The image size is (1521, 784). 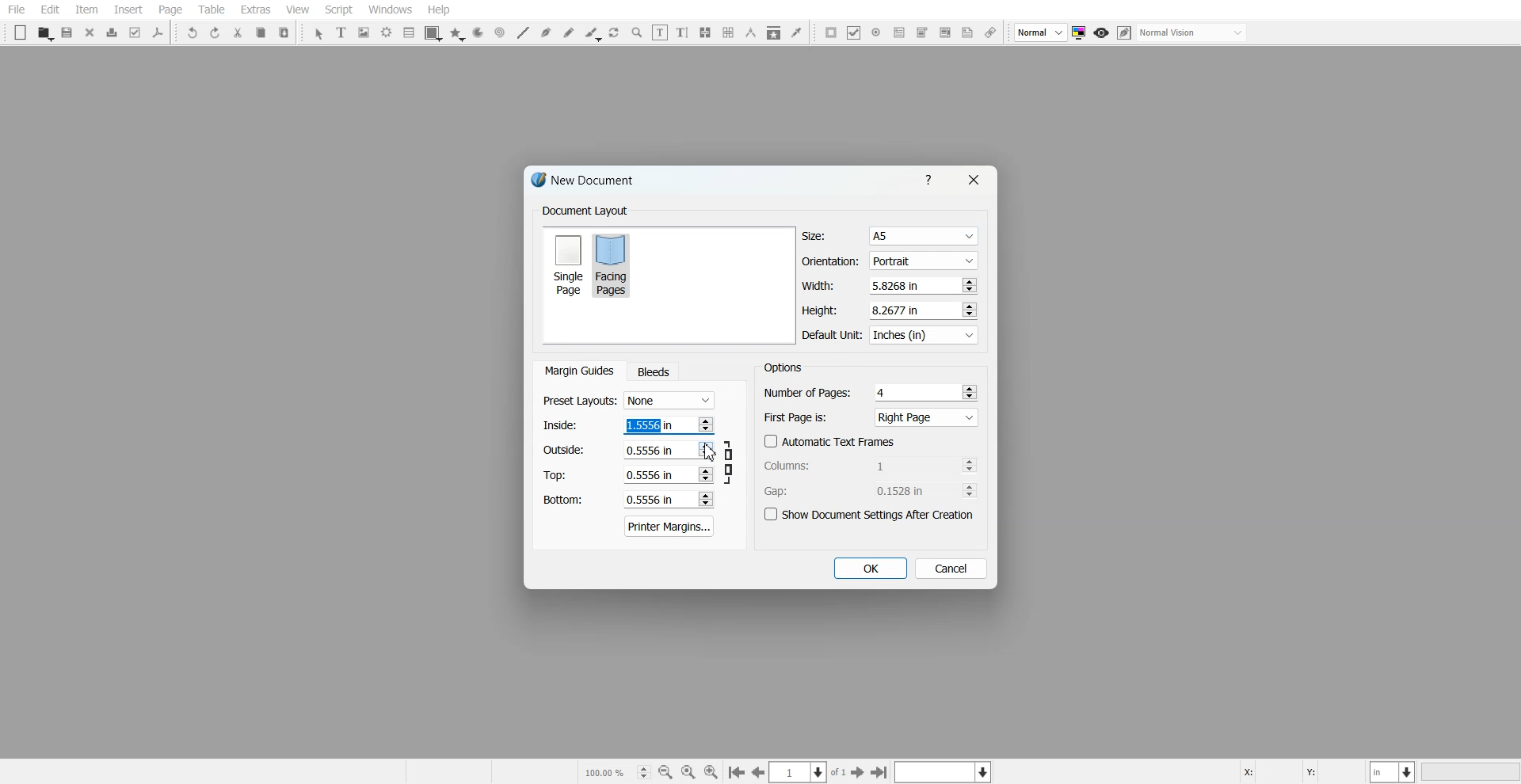 I want to click on Increase and decrease No. , so click(x=704, y=424).